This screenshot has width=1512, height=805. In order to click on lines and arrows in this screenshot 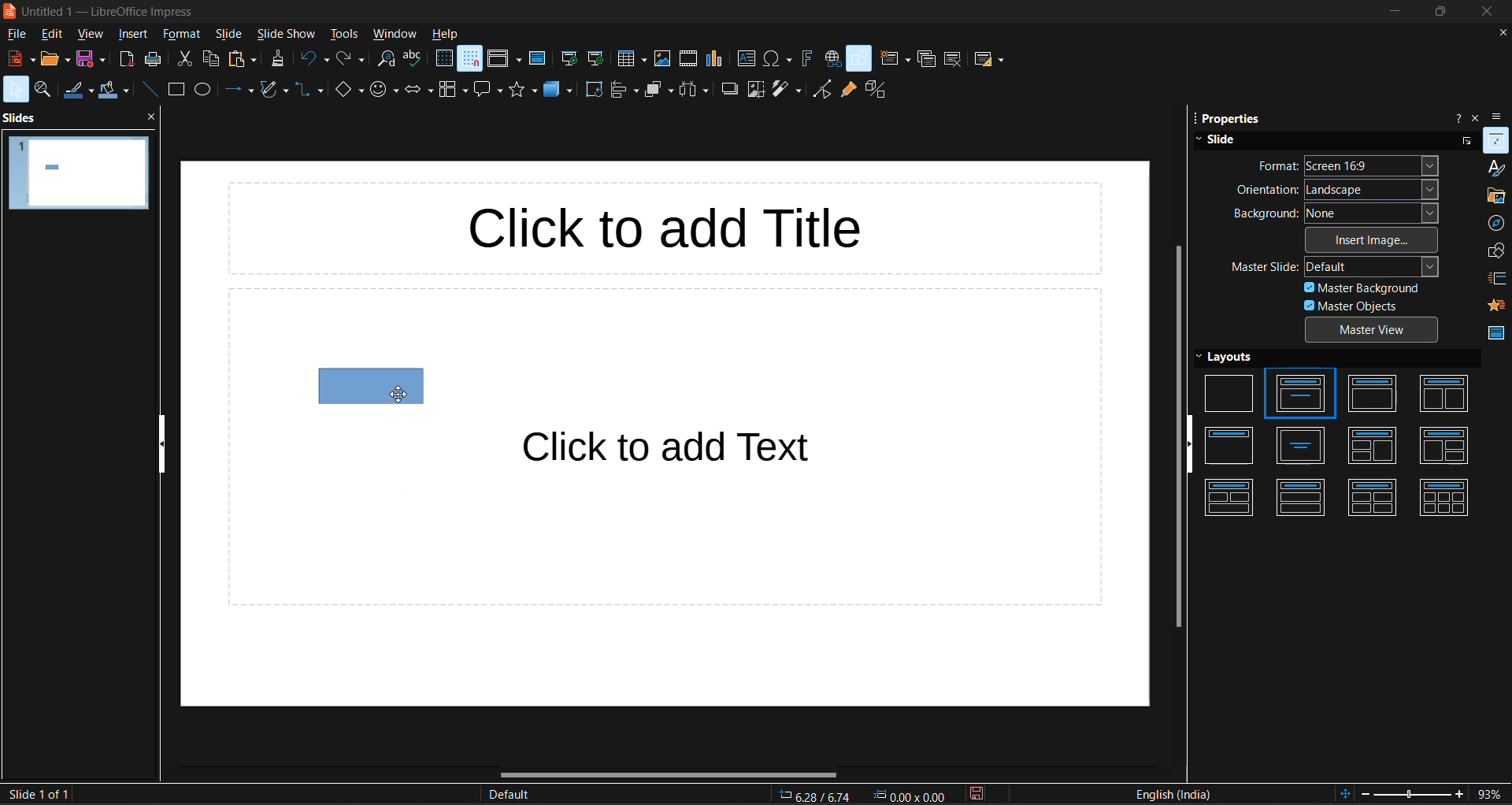, I will do `click(240, 90)`.